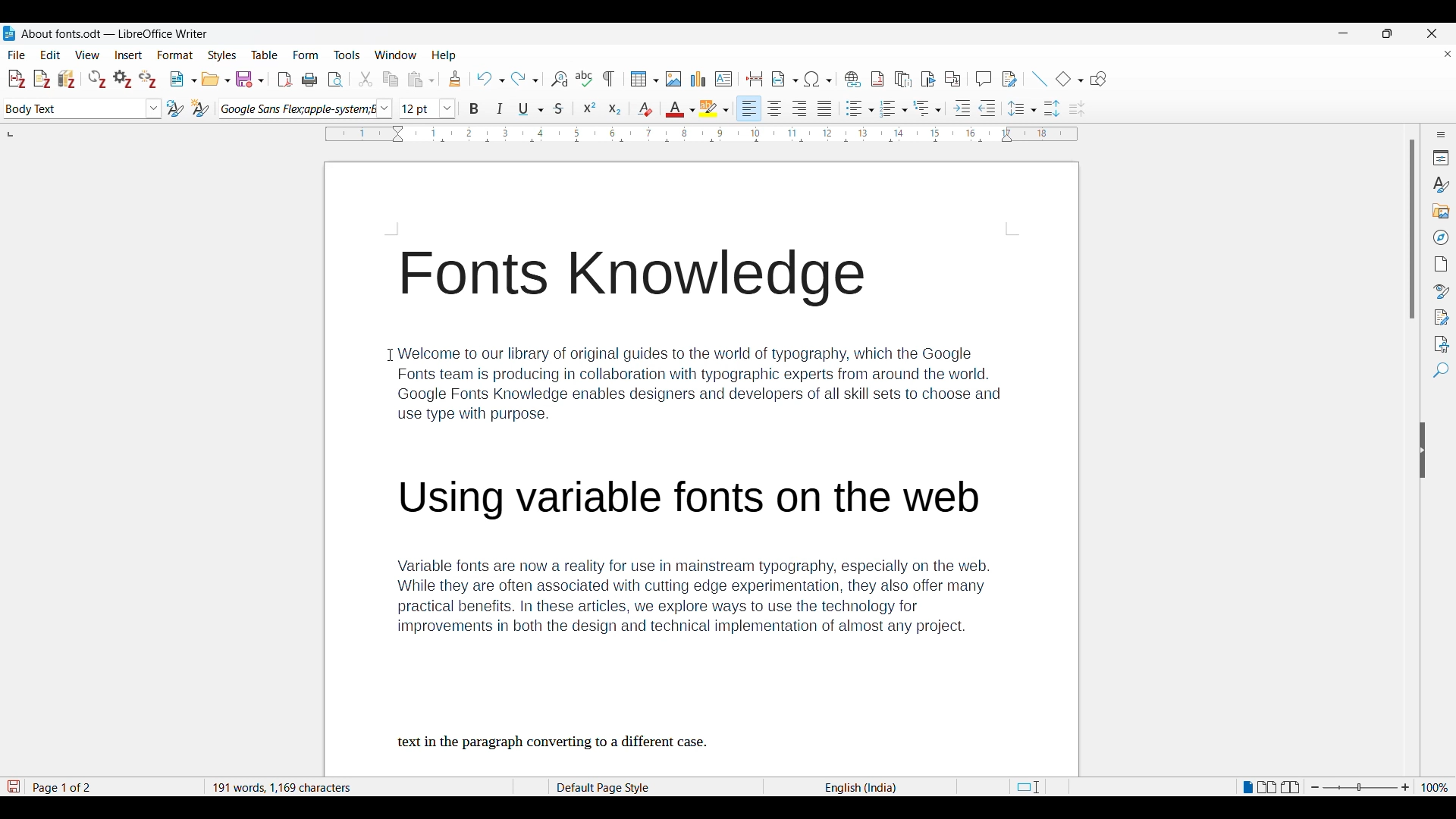 The height and width of the screenshot is (819, 1456). Describe the element at coordinates (1022, 108) in the screenshot. I see `Set line spacing options` at that location.